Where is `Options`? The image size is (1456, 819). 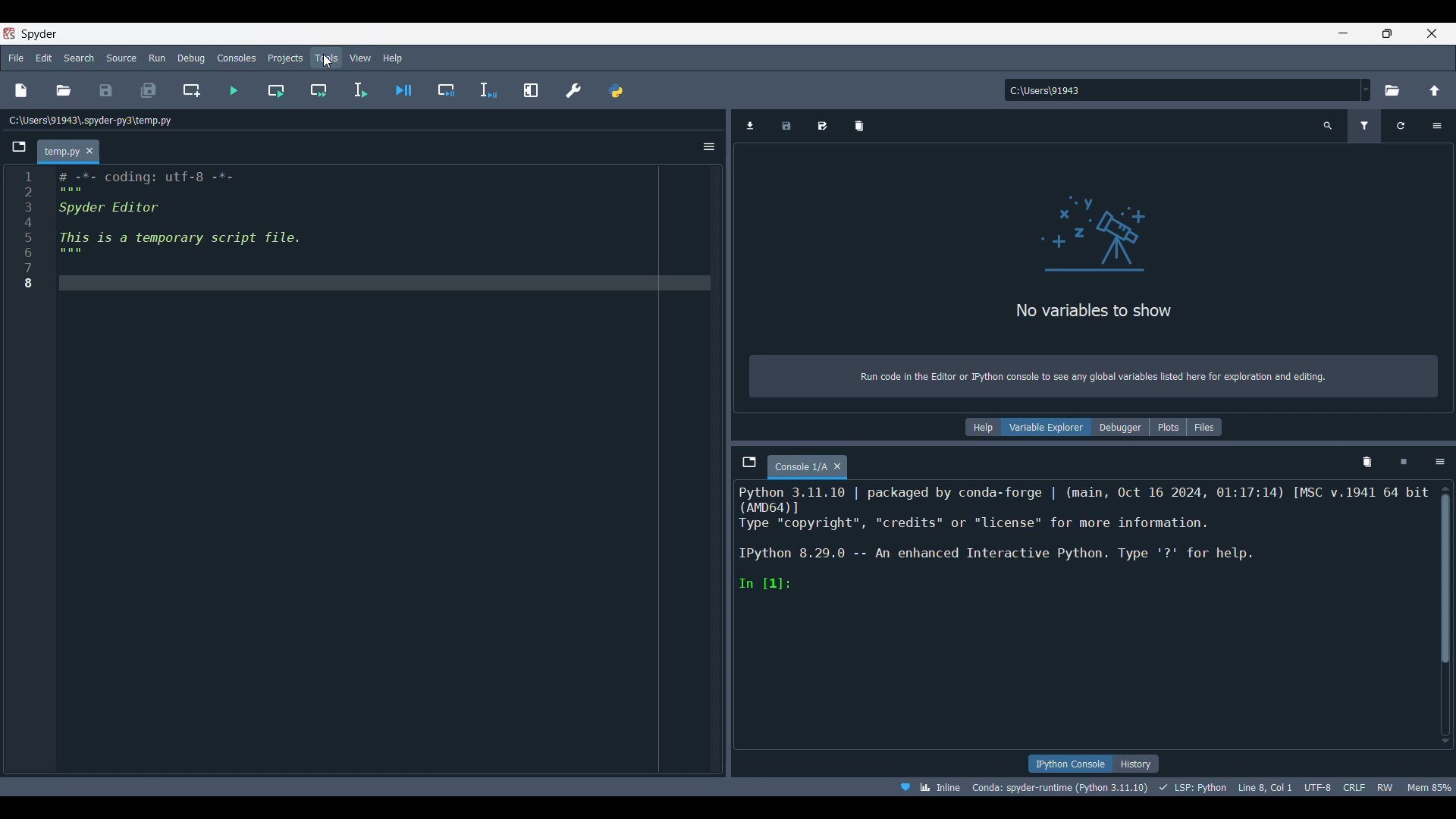 Options is located at coordinates (1439, 462).